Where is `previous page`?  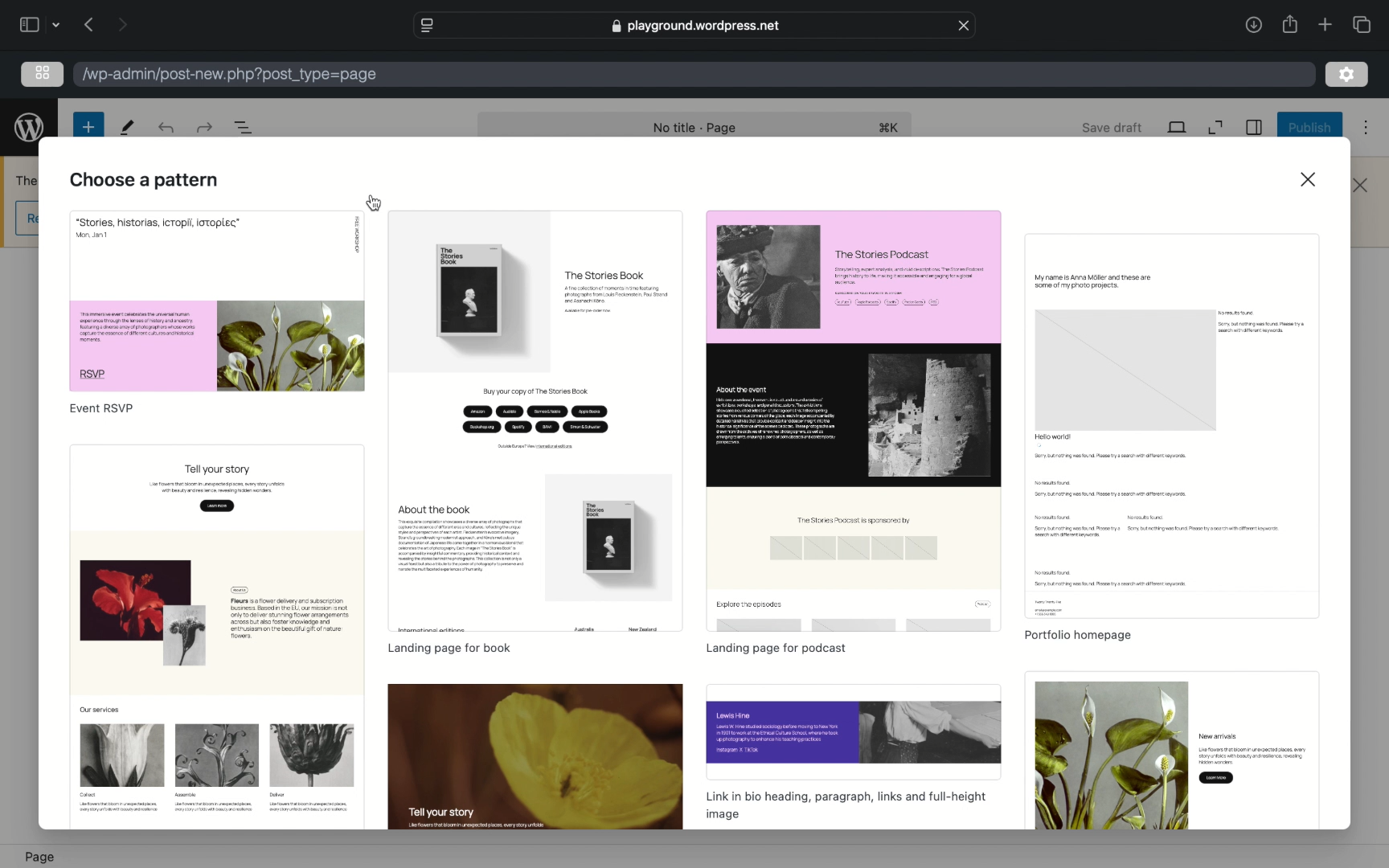
previous page is located at coordinates (89, 26).